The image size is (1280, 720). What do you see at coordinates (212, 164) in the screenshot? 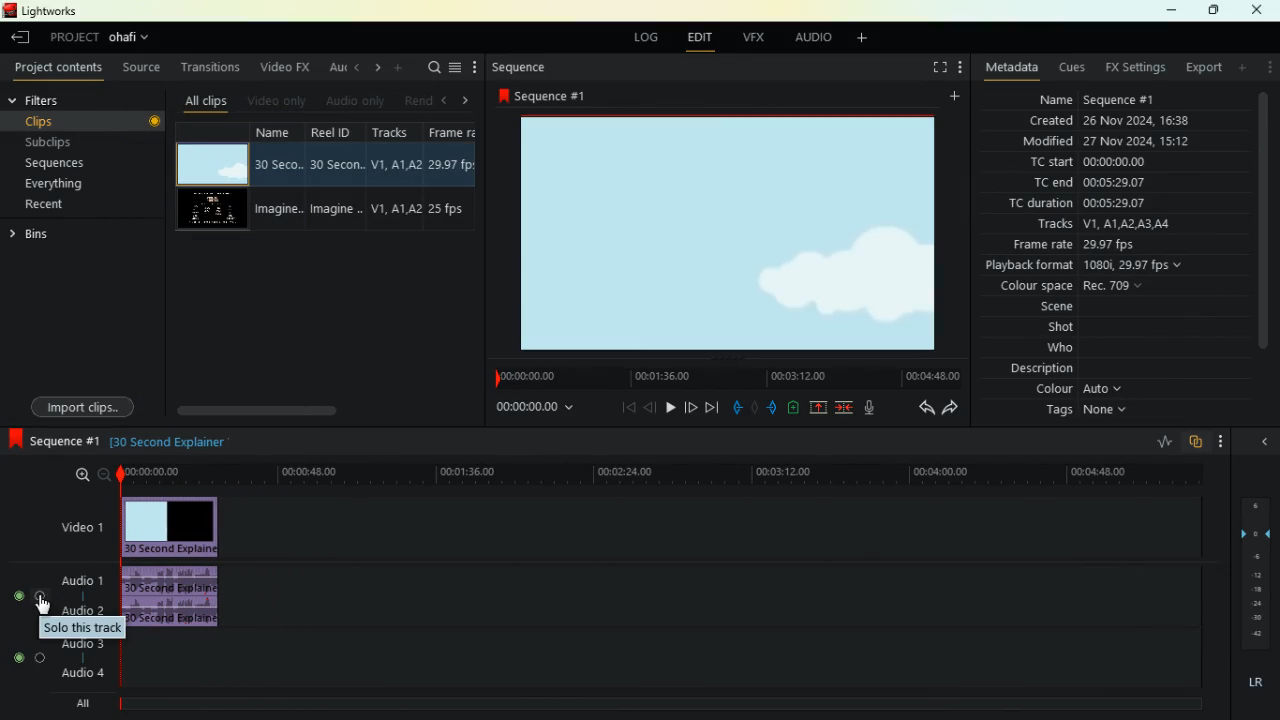
I see `video` at bounding box center [212, 164].